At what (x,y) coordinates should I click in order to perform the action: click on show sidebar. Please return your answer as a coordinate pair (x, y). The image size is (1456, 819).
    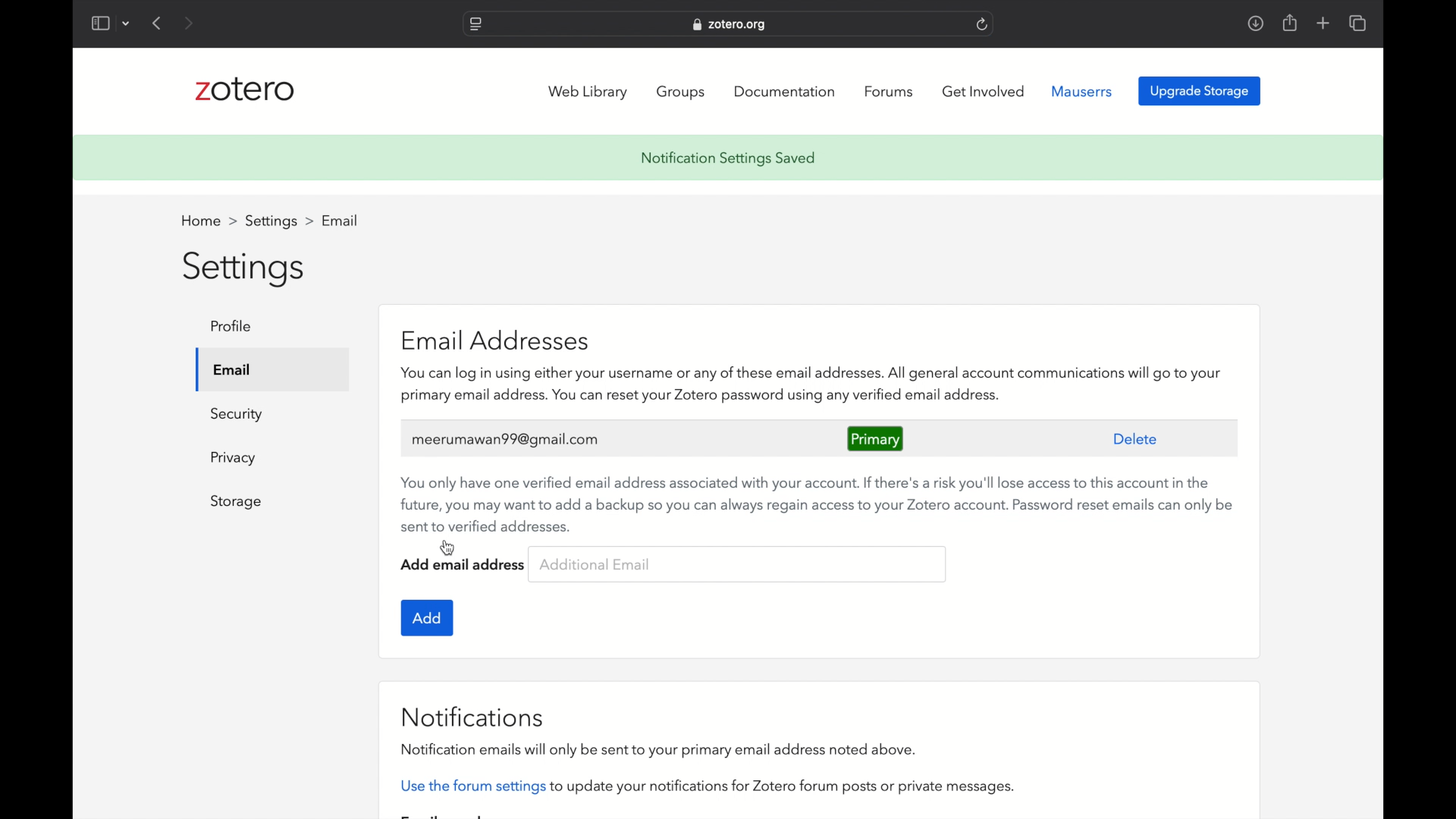
    Looking at the image, I should click on (99, 23).